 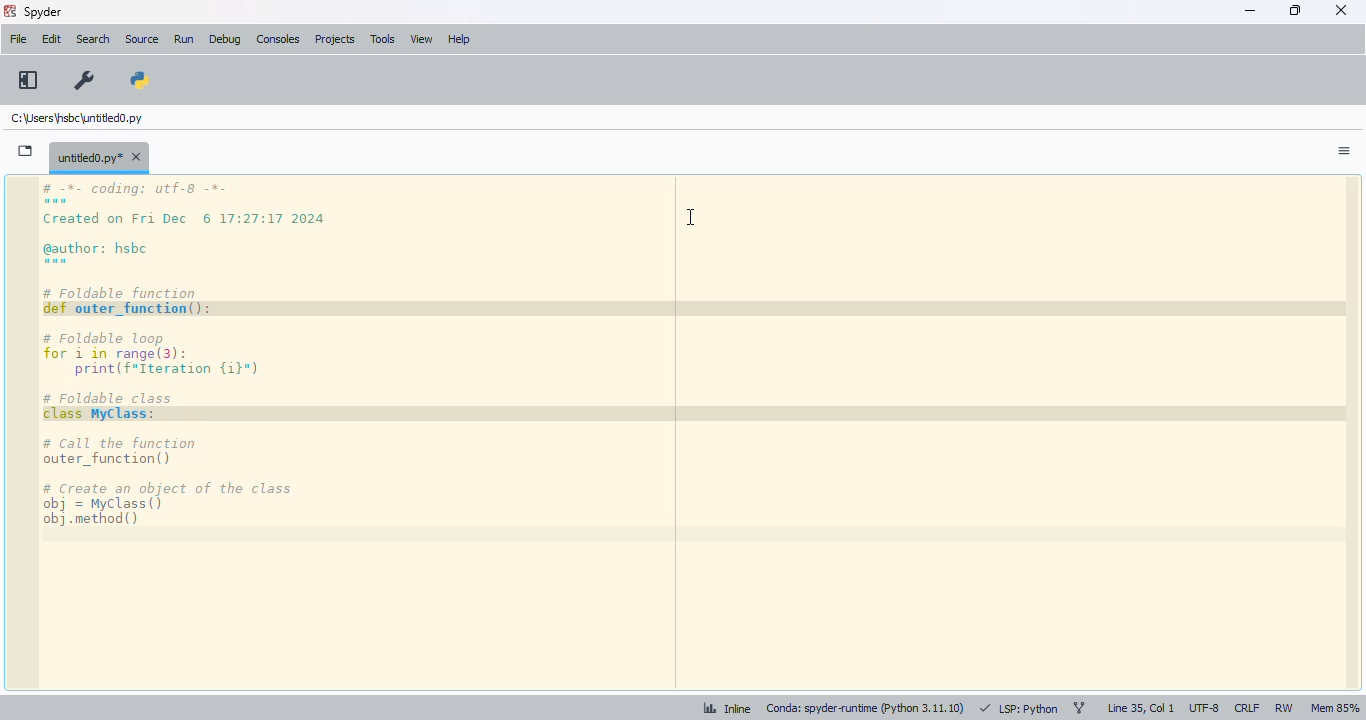 I want to click on UTF-8, so click(x=1205, y=708).